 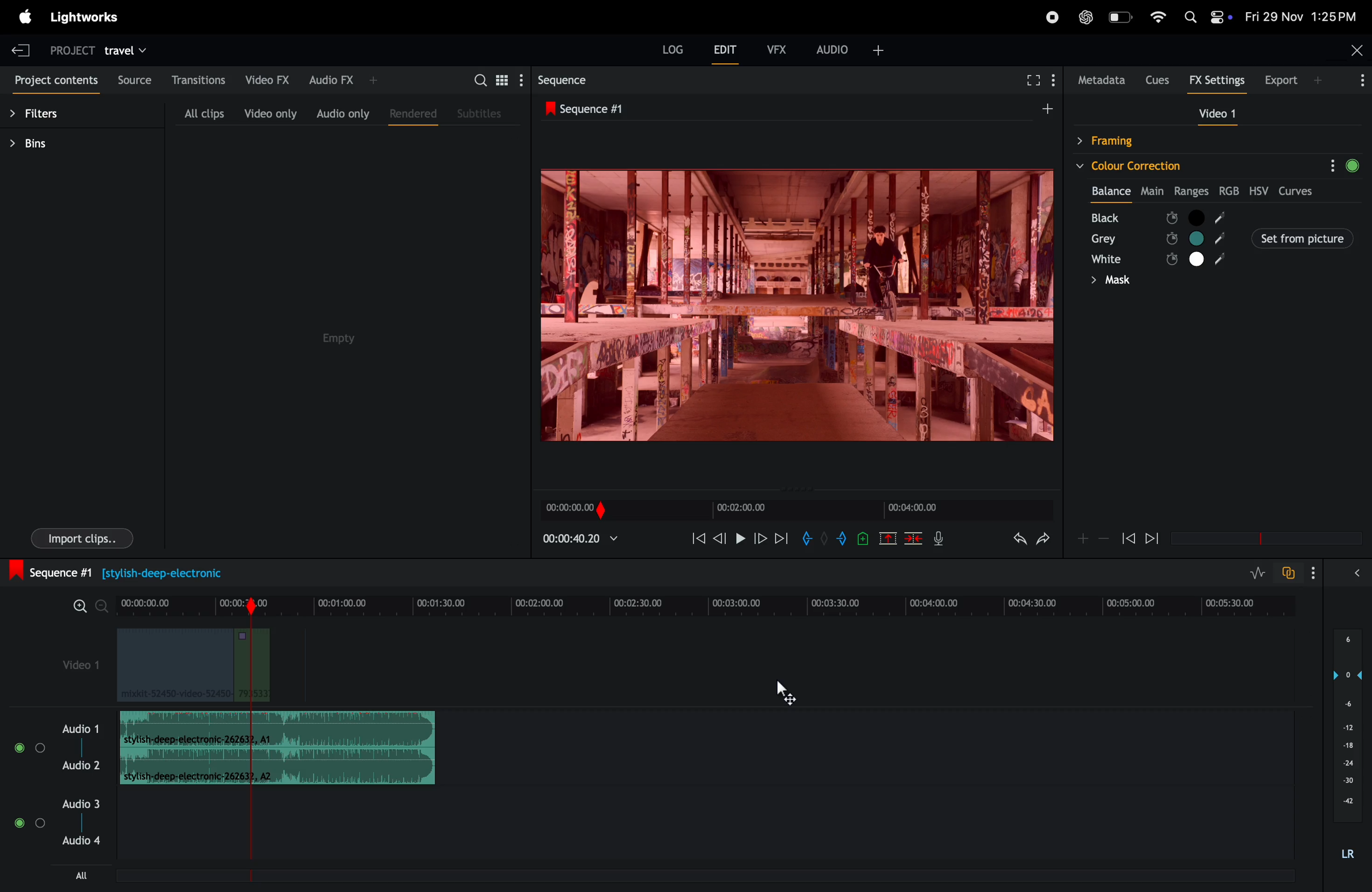 What do you see at coordinates (1092, 538) in the screenshot?
I see `zoom in zoom out` at bounding box center [1092, 538].